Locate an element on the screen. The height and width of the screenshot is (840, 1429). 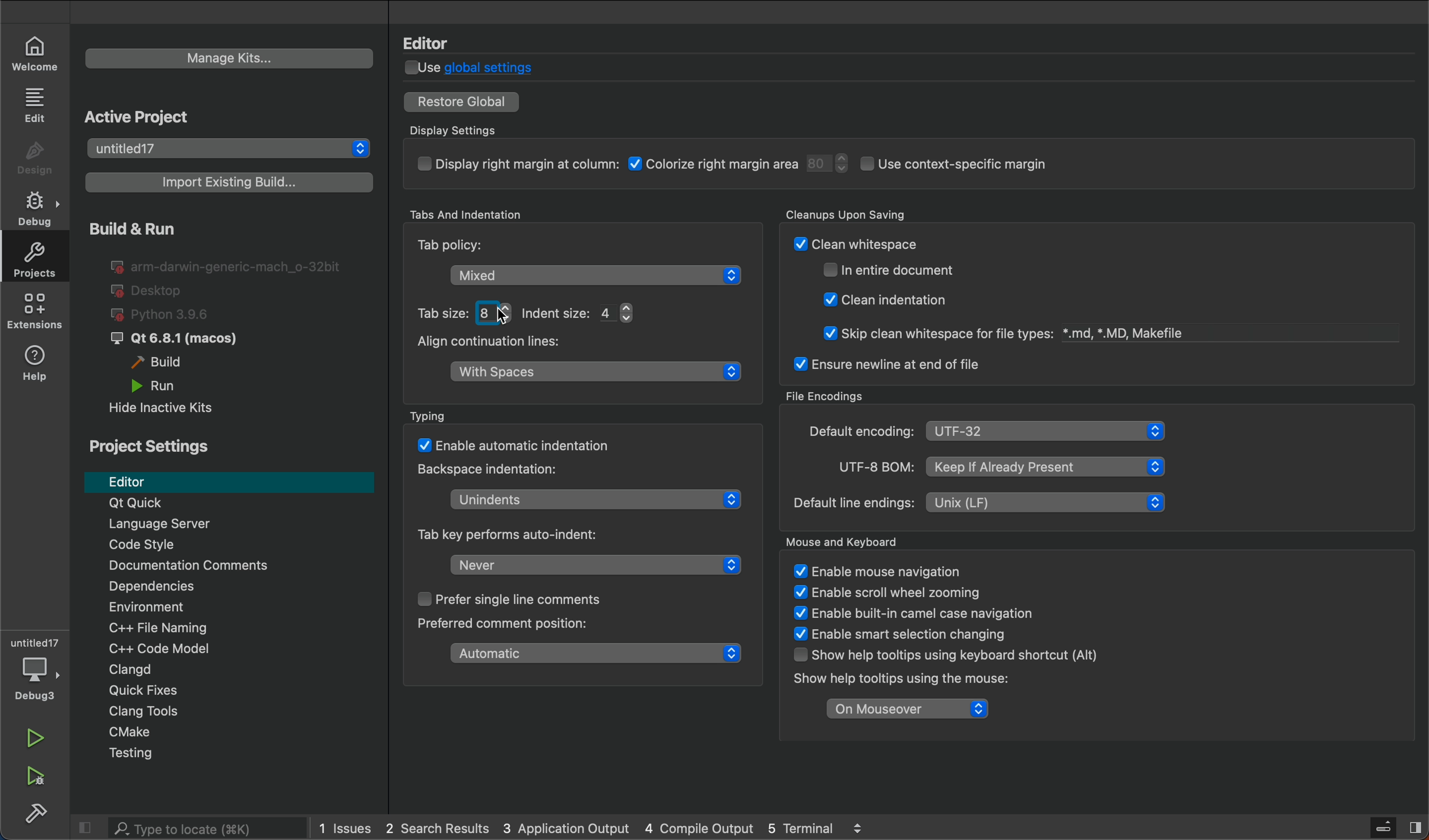
File Encodings is located at coordinates (826, 393).